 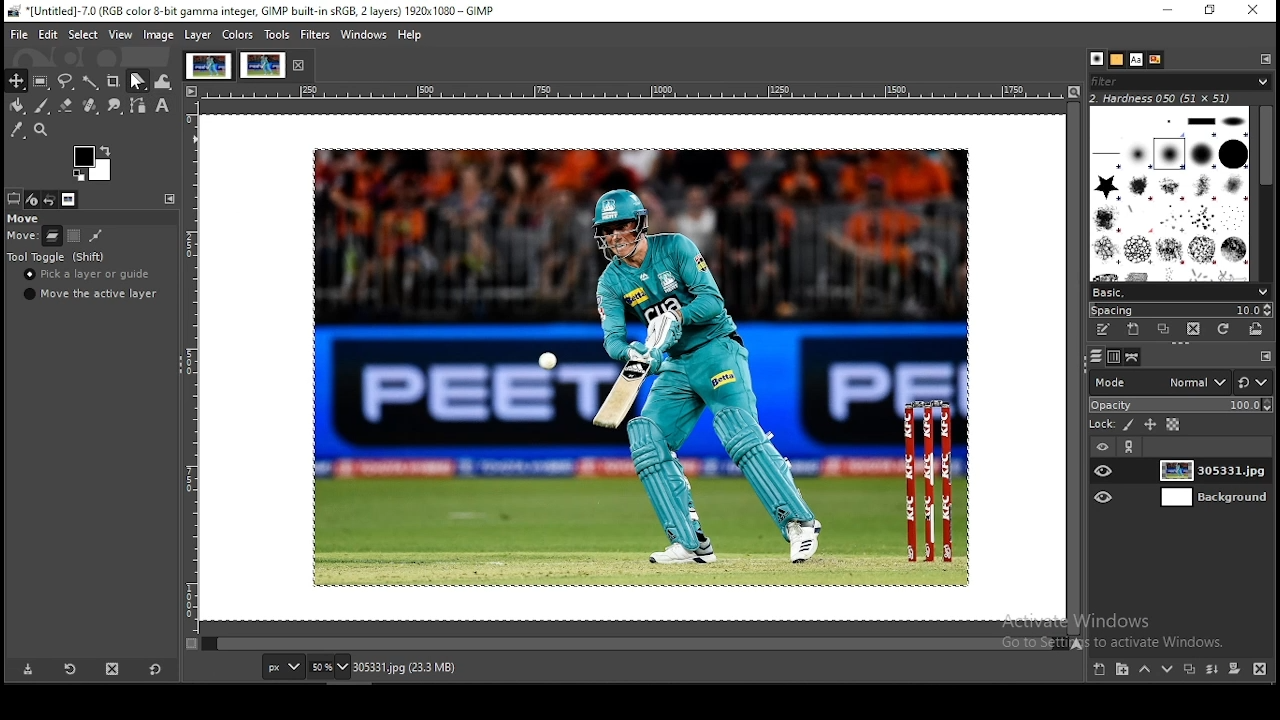 I want to click on configure this tab, so click(x=1264, y=59).